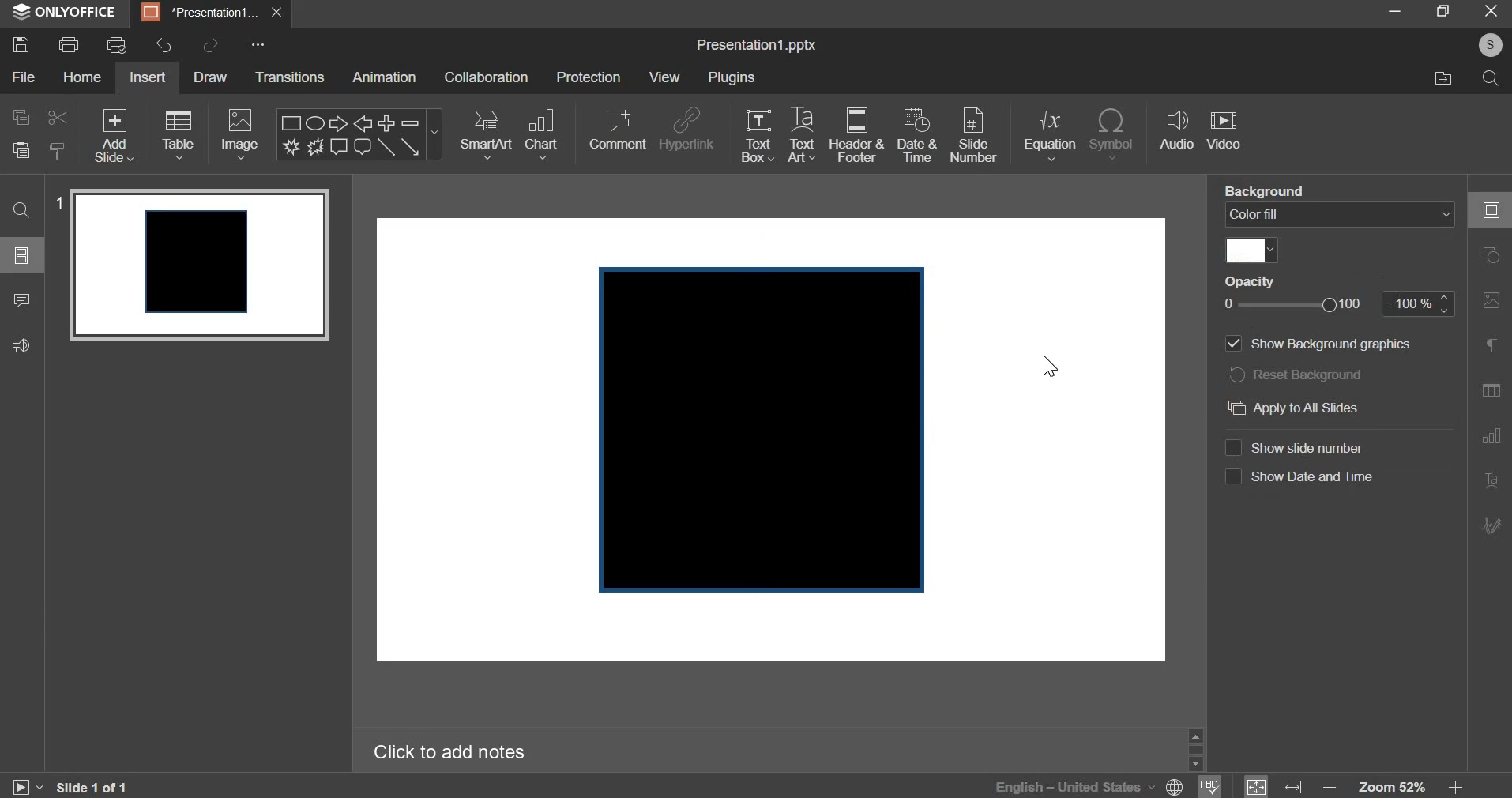  What do you see at coordinates (211, 79) in the screenshot?
I see `draw` at bounding box center [211, 79].